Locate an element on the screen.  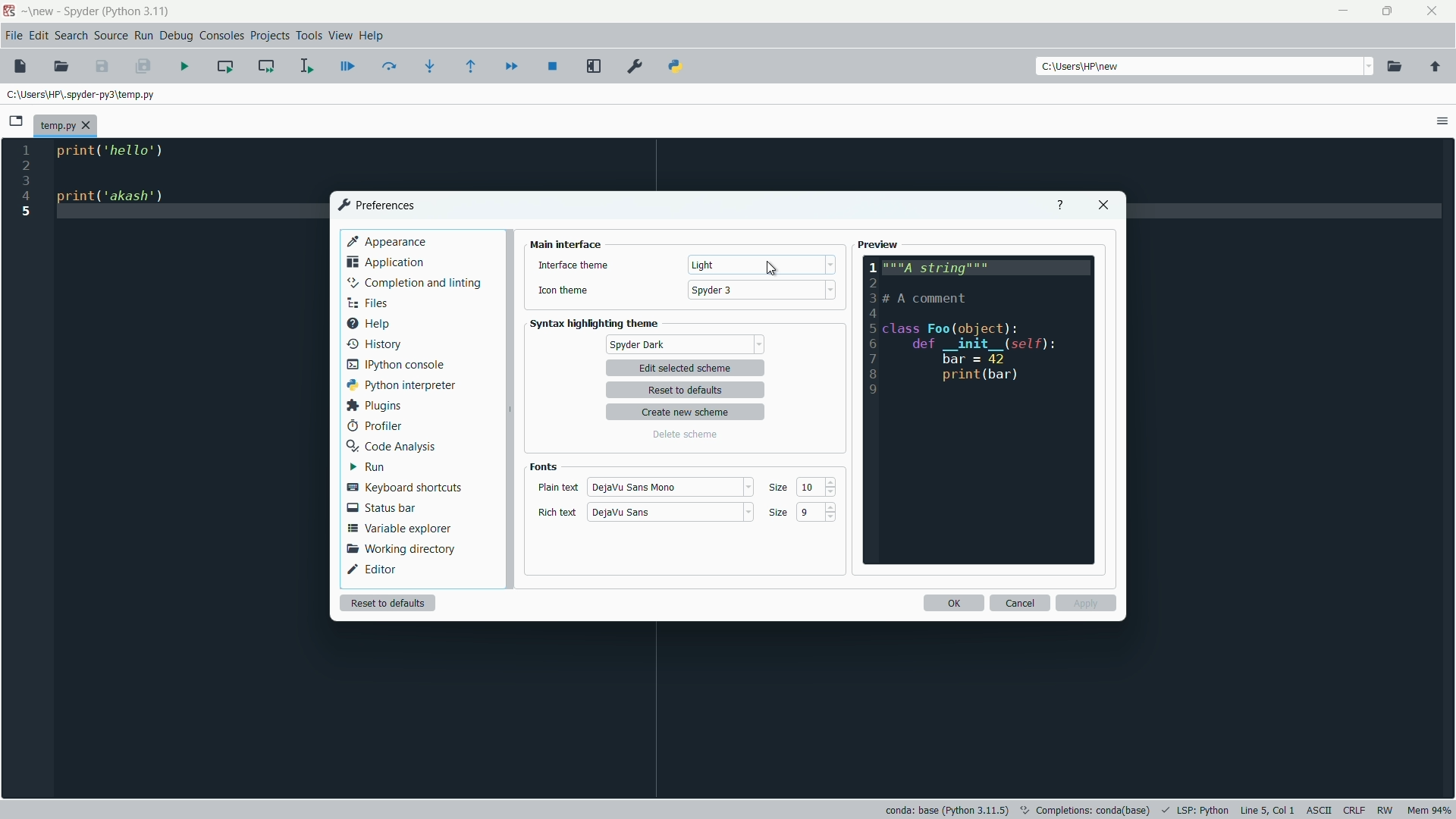
debug file is located at coordinates (348, 67).